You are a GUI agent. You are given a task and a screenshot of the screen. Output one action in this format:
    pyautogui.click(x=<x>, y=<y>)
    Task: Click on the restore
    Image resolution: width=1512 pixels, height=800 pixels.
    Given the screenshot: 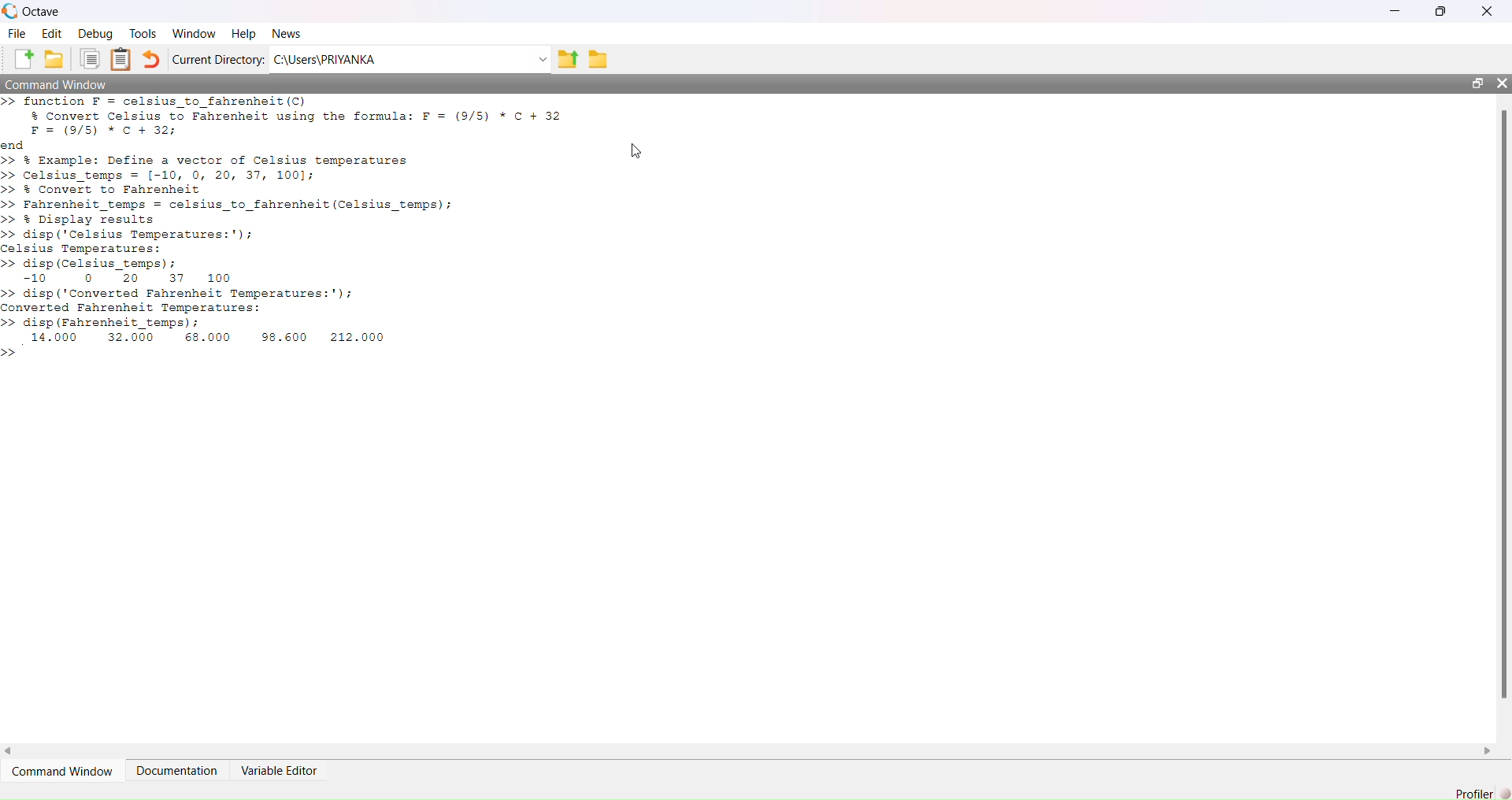 What is the action you would take?
    pyautogui.click(x=1477, y=83)
    